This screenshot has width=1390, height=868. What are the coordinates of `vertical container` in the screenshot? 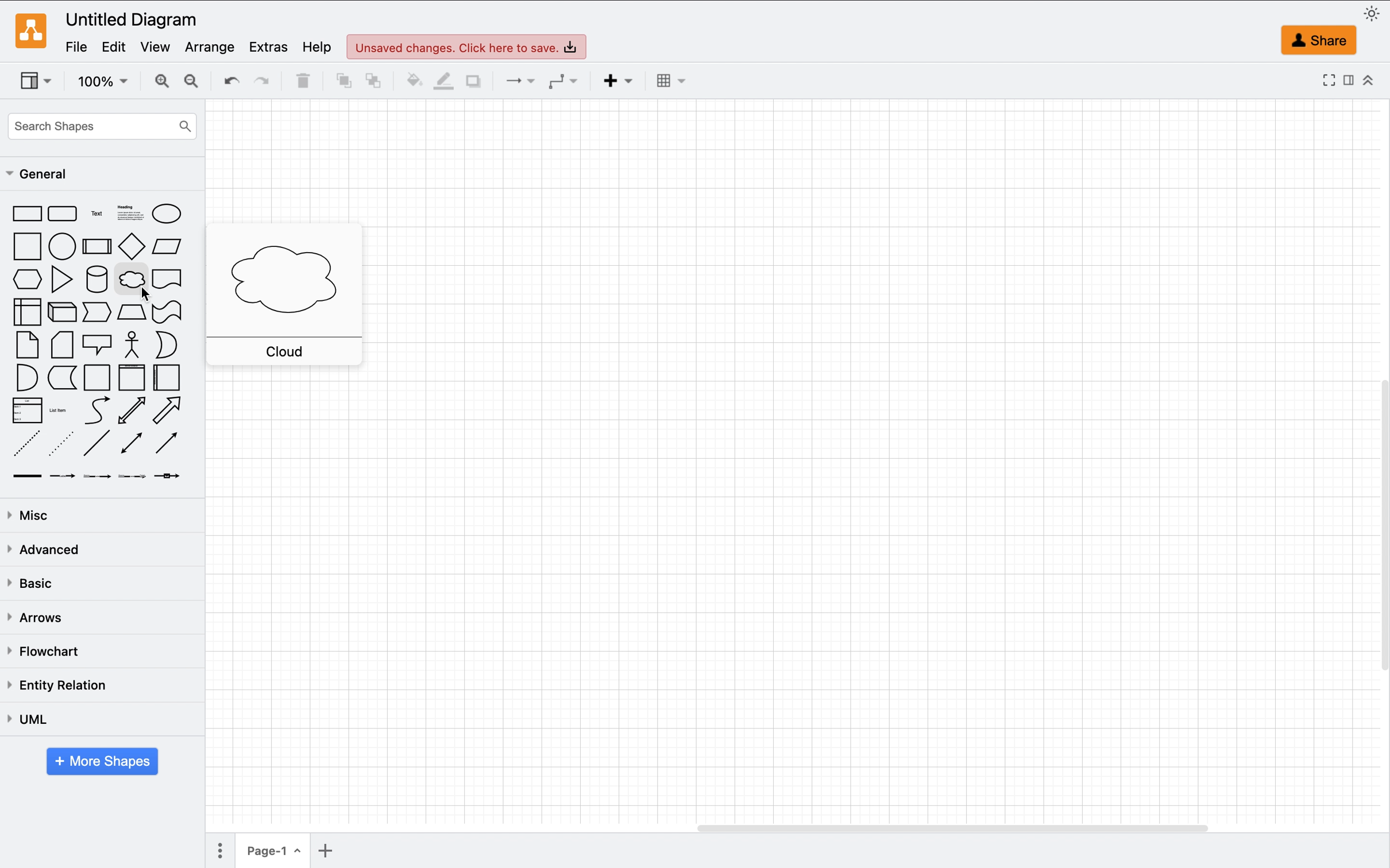 It's located at (131, 378).